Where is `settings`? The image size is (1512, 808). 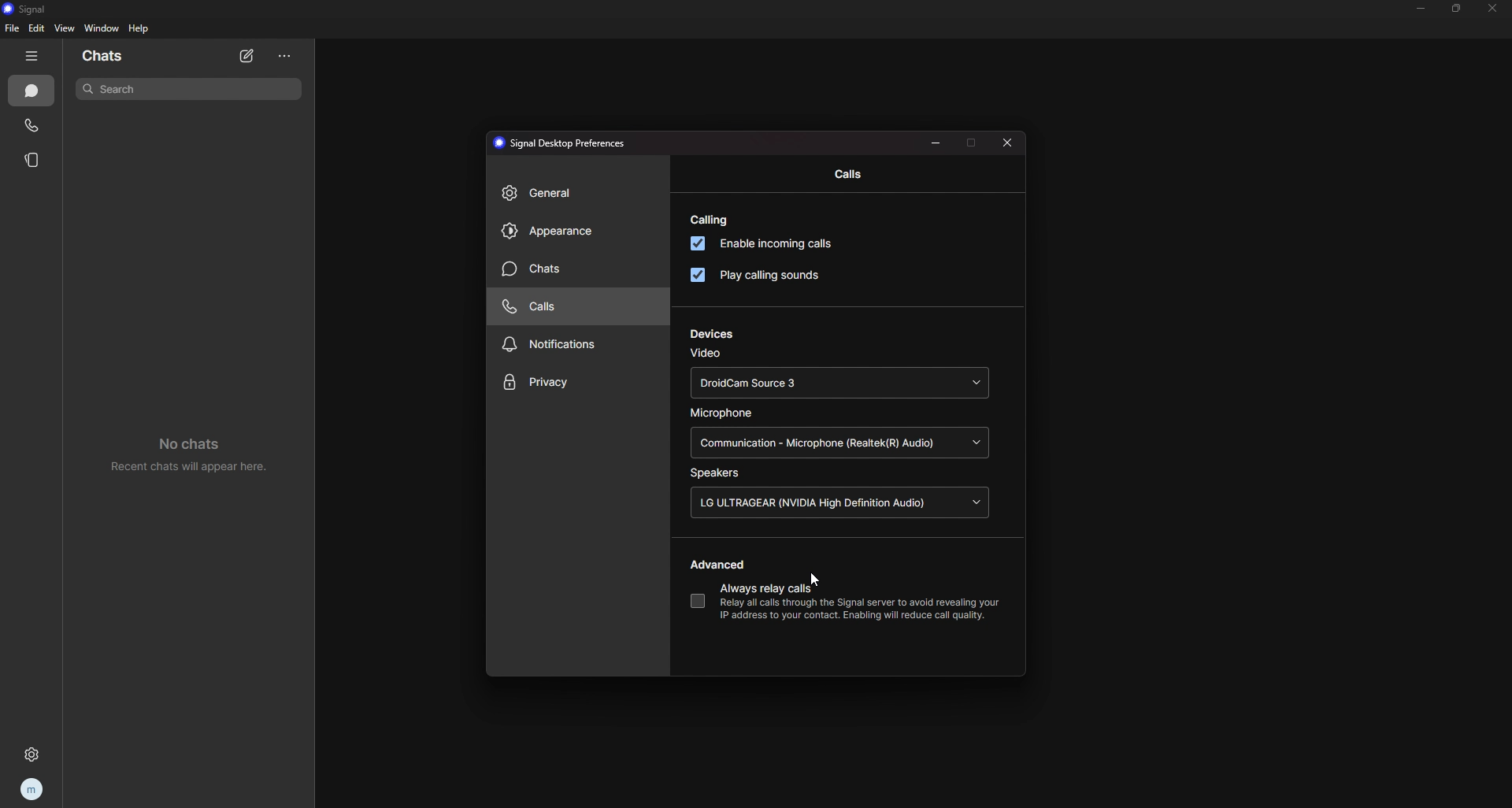
settings is located at coordinates (35, 755).